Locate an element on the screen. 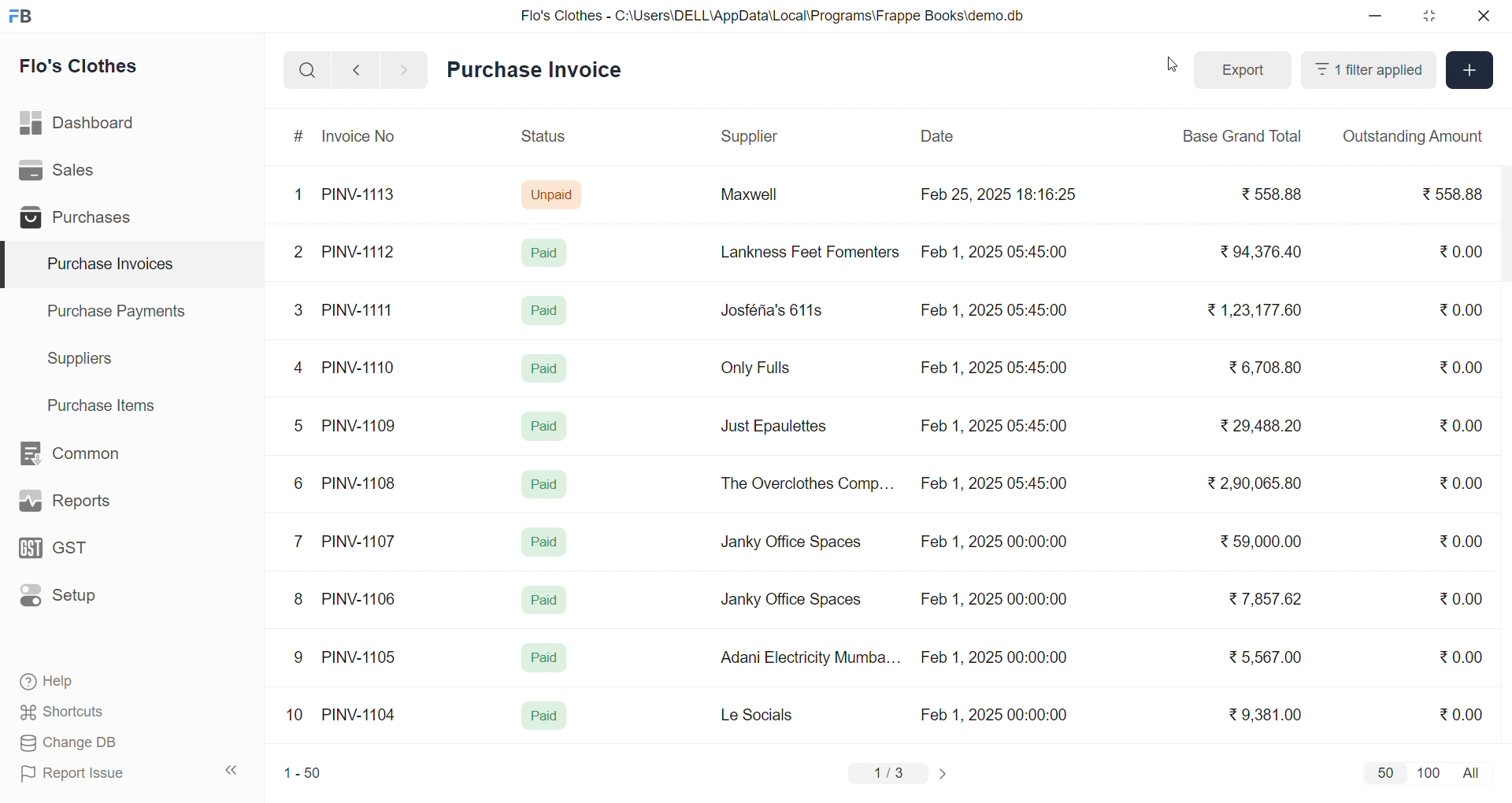  Feb 1, 2025 05:45:00 is located at coordinates (996, 485).